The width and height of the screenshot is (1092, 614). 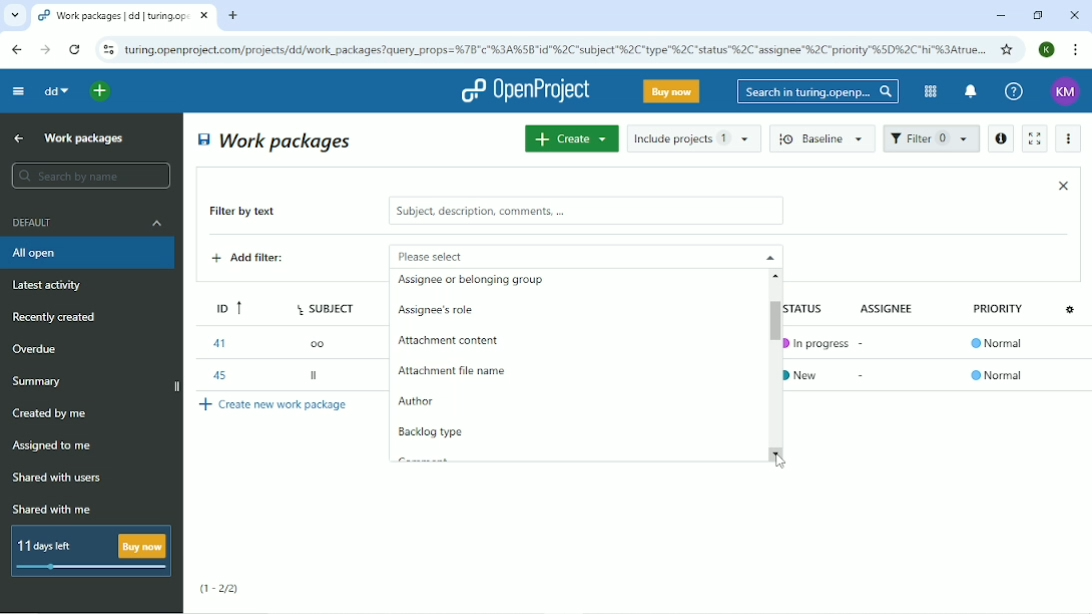 What do you see at coordinates (15, 16) in the screenshot?
I see `Search tabs` at bounding box center [15, 16].